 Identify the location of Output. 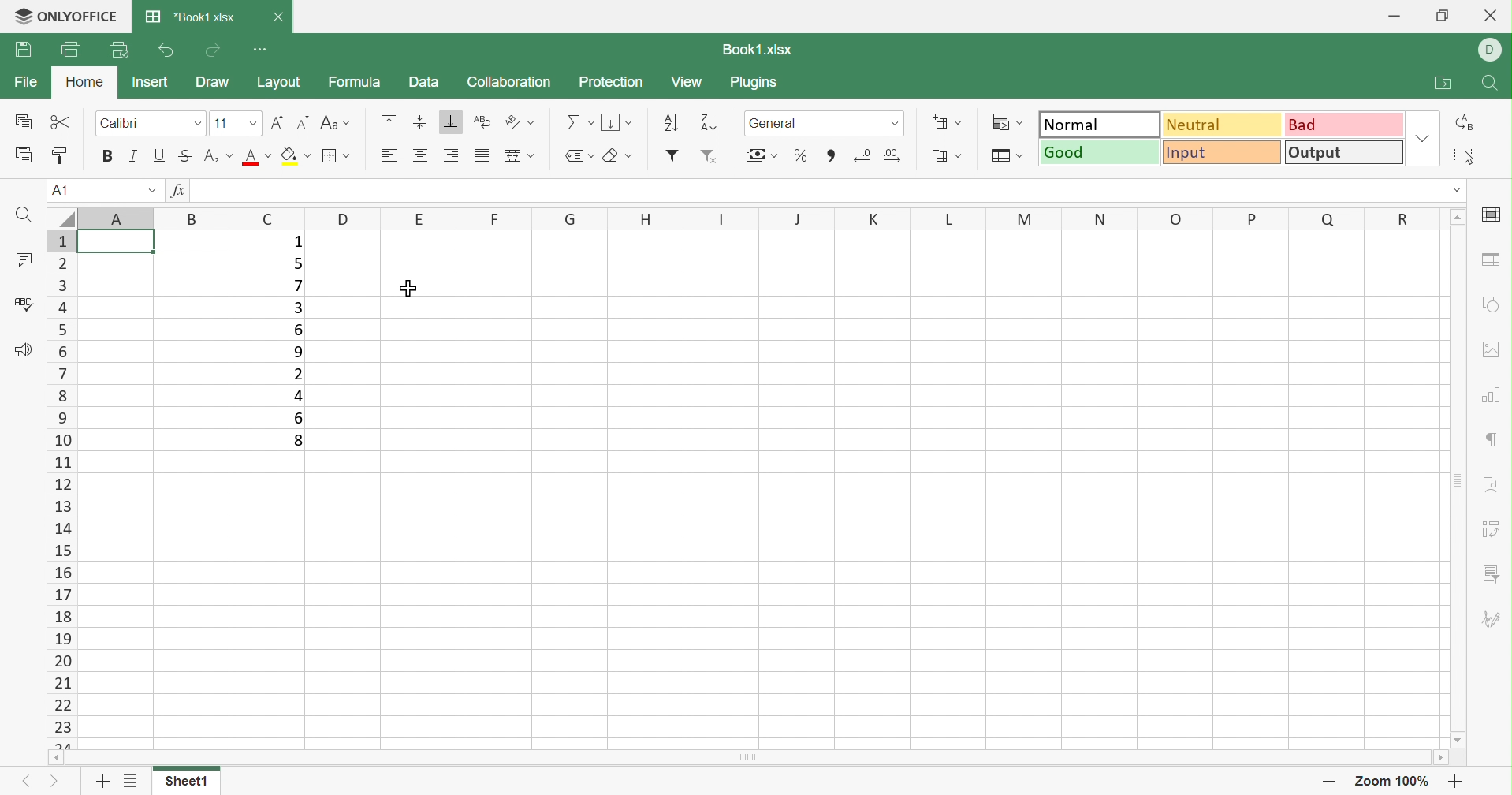
(1345, 151).